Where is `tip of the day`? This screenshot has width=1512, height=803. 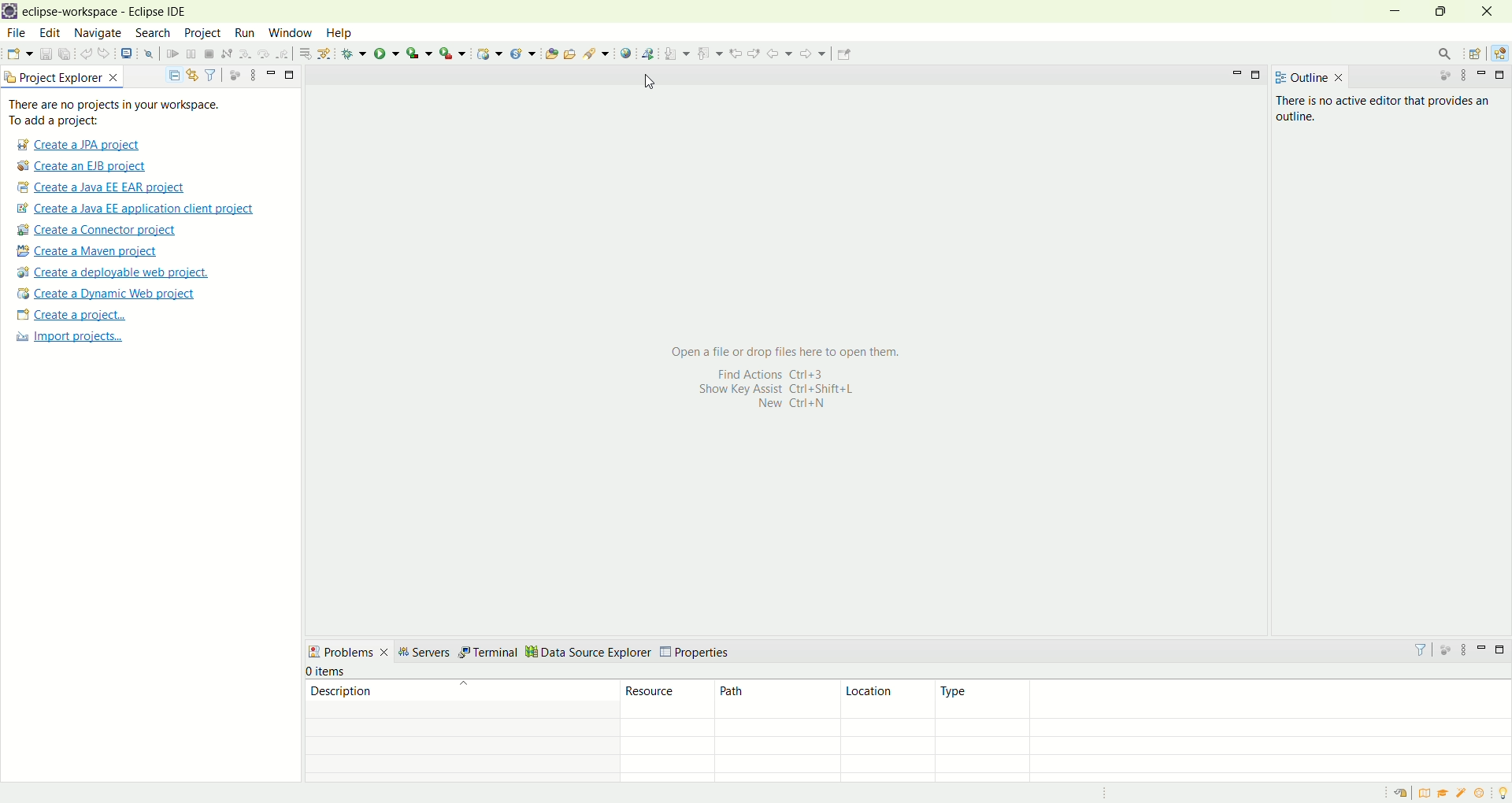 tip of the day is located at coordinates (1503, 791).